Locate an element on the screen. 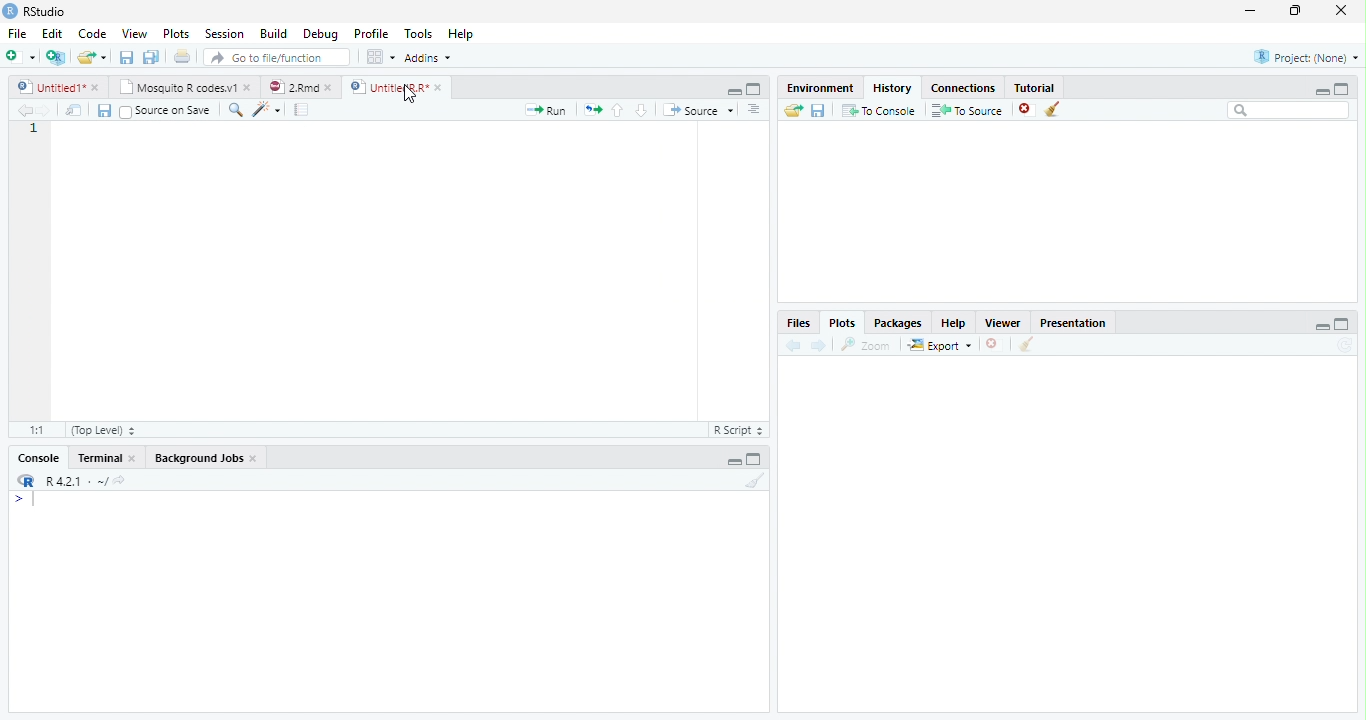  Line number is located at coordinates (34, 130).